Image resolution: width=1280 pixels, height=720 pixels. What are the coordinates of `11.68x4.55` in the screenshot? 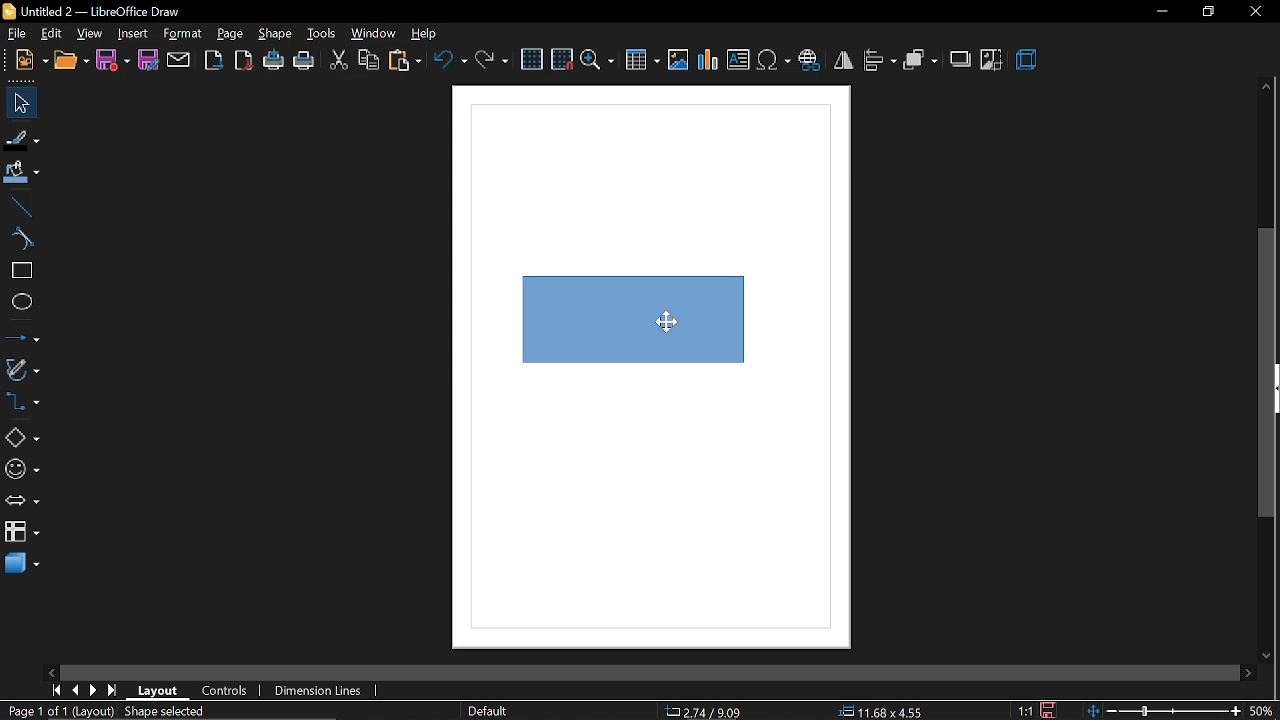 It's located at (884, 712).